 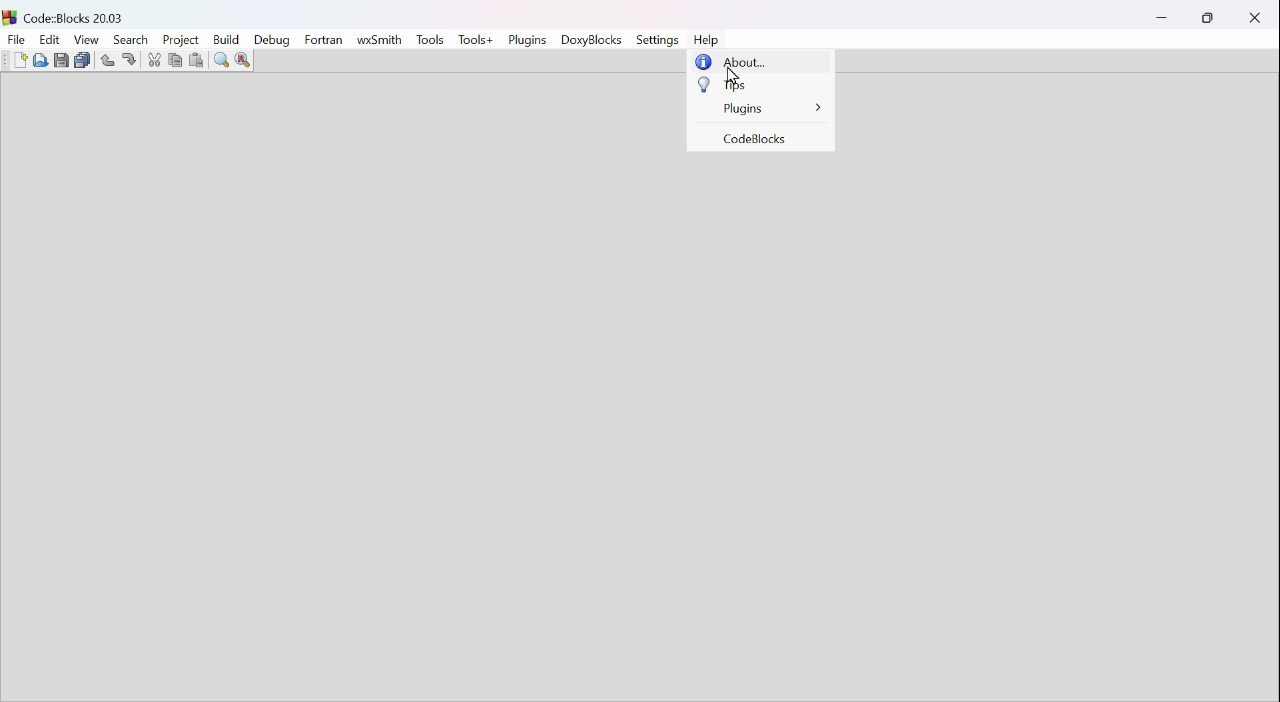 What do you see at coordinates (382, 39) in the screenshot?
I see `w X Smith` at bounding box center [382, 39].